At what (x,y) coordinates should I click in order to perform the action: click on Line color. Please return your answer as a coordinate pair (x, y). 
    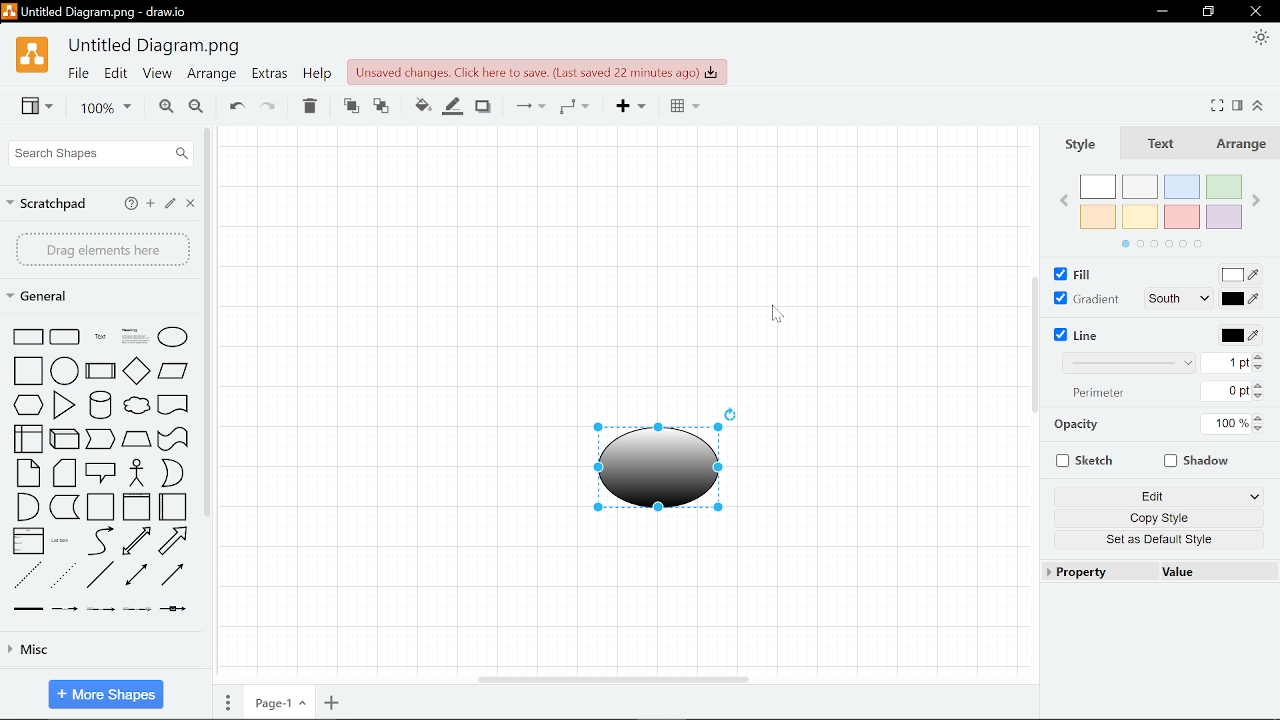
    Looking at the image, I should click on (1238, 337).